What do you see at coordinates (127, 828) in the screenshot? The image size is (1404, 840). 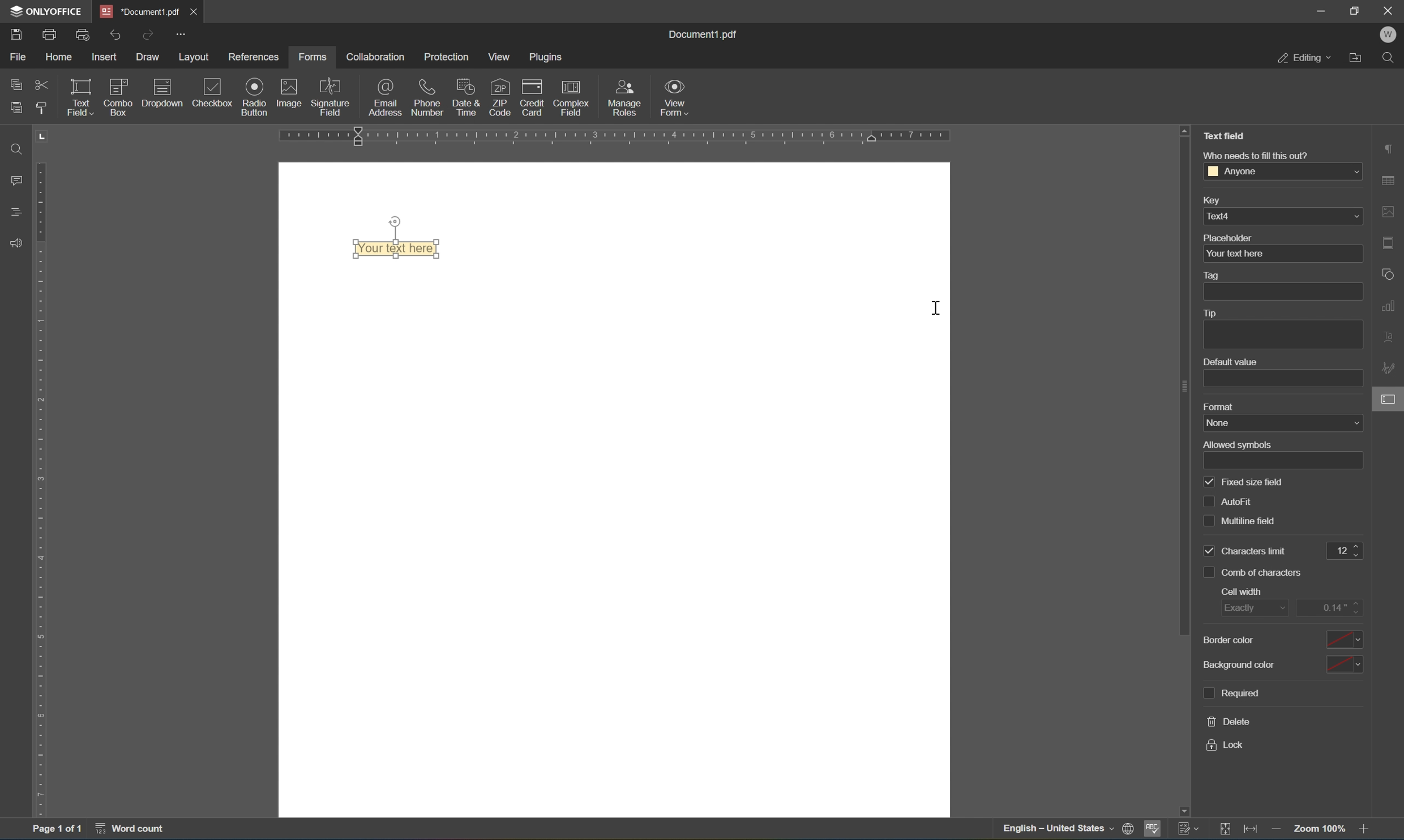 I see `word count` at bounding box center [127, 828].